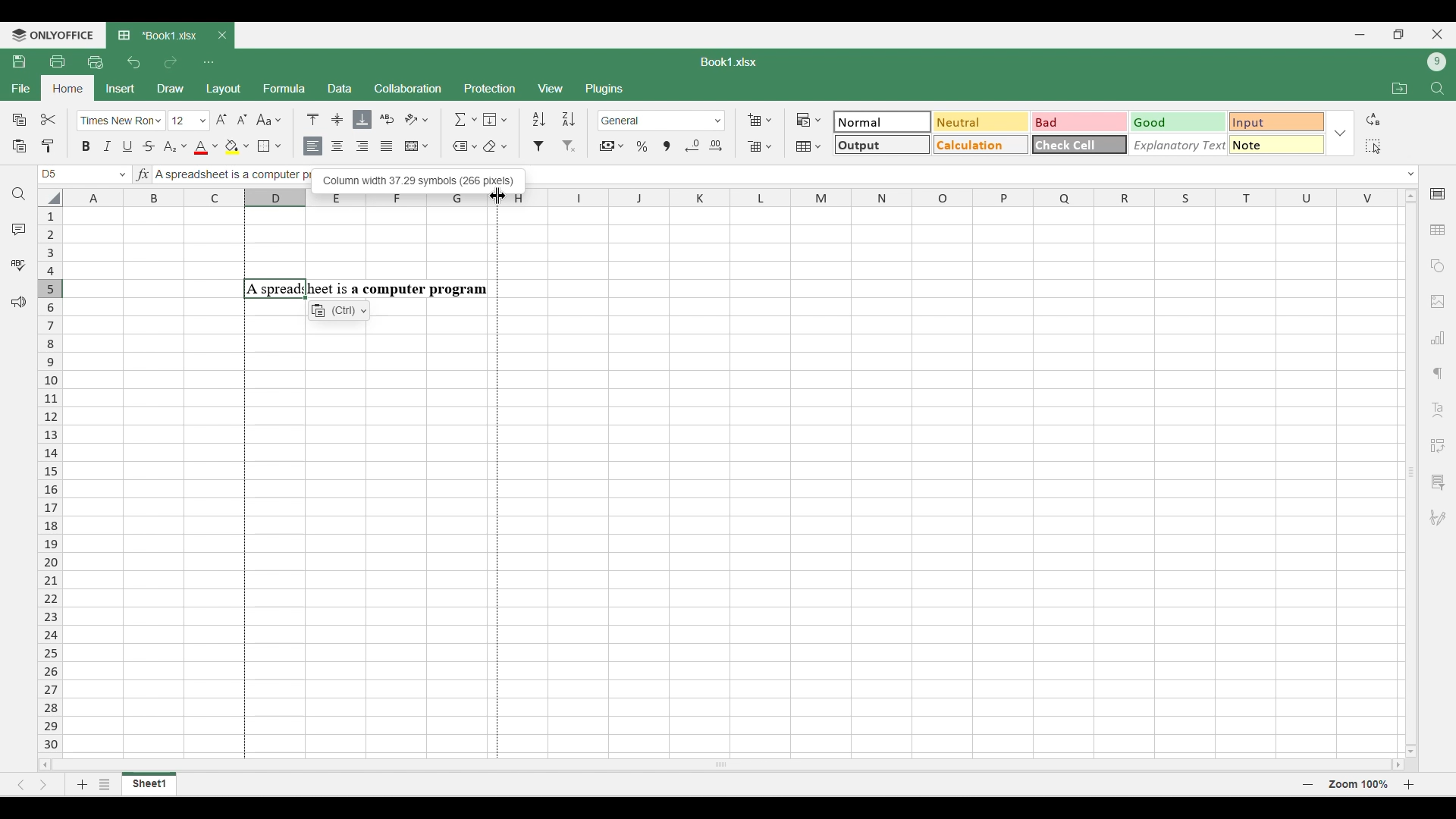 This screenshot has width=1456, height=819. What do you see at coordinates (494, 146) in the screenshot?
I see `Clear options` at bounding box center [494, 146].